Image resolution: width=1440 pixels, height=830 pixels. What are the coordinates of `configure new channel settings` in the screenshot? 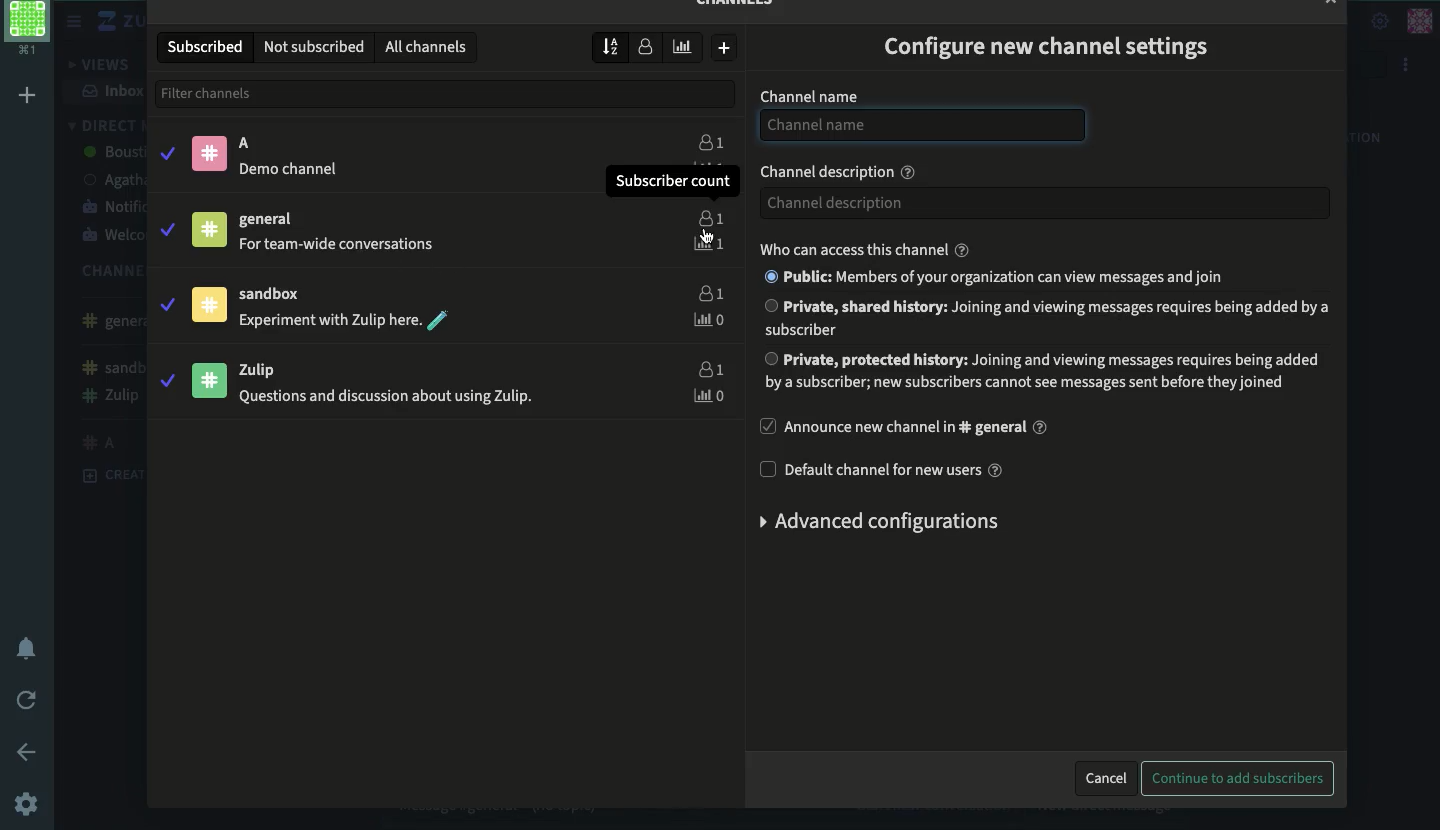 It's located at (1040, 47).